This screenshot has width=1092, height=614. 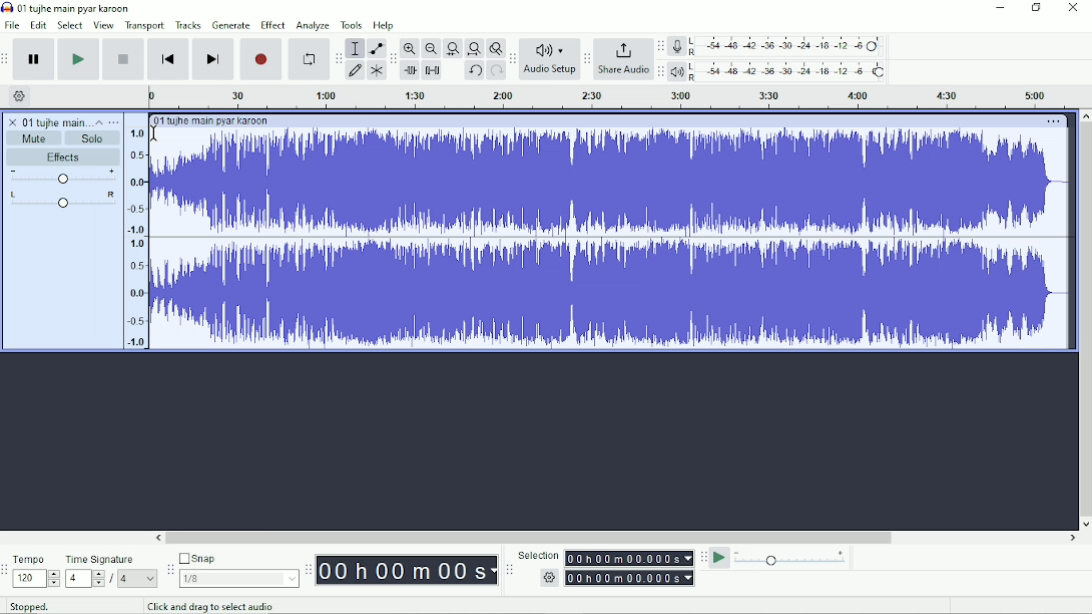 I want to click on Select, so click(x=71, y=25).